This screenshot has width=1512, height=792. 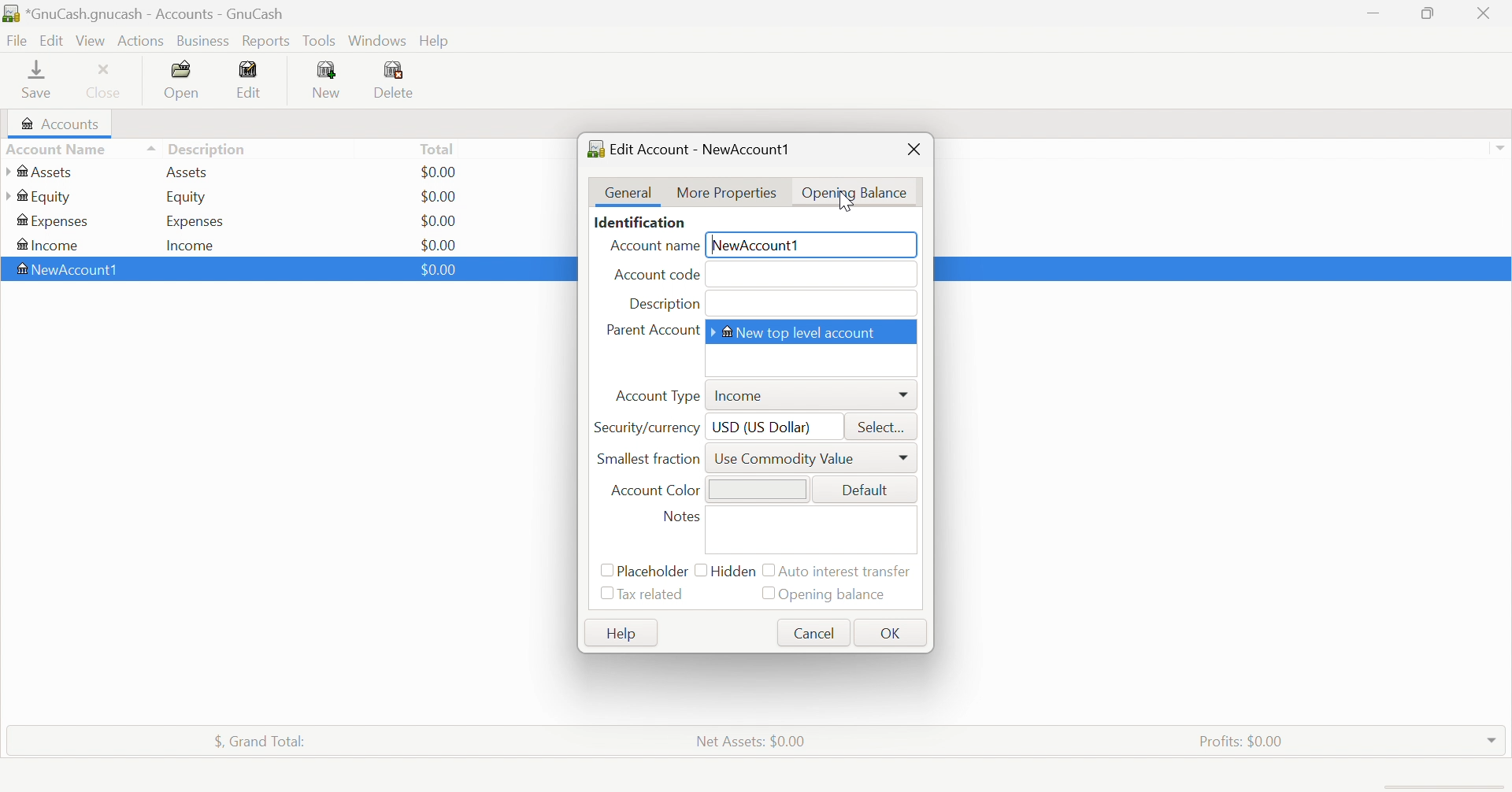 I want to click on Account color, so click(x=656, y=490).